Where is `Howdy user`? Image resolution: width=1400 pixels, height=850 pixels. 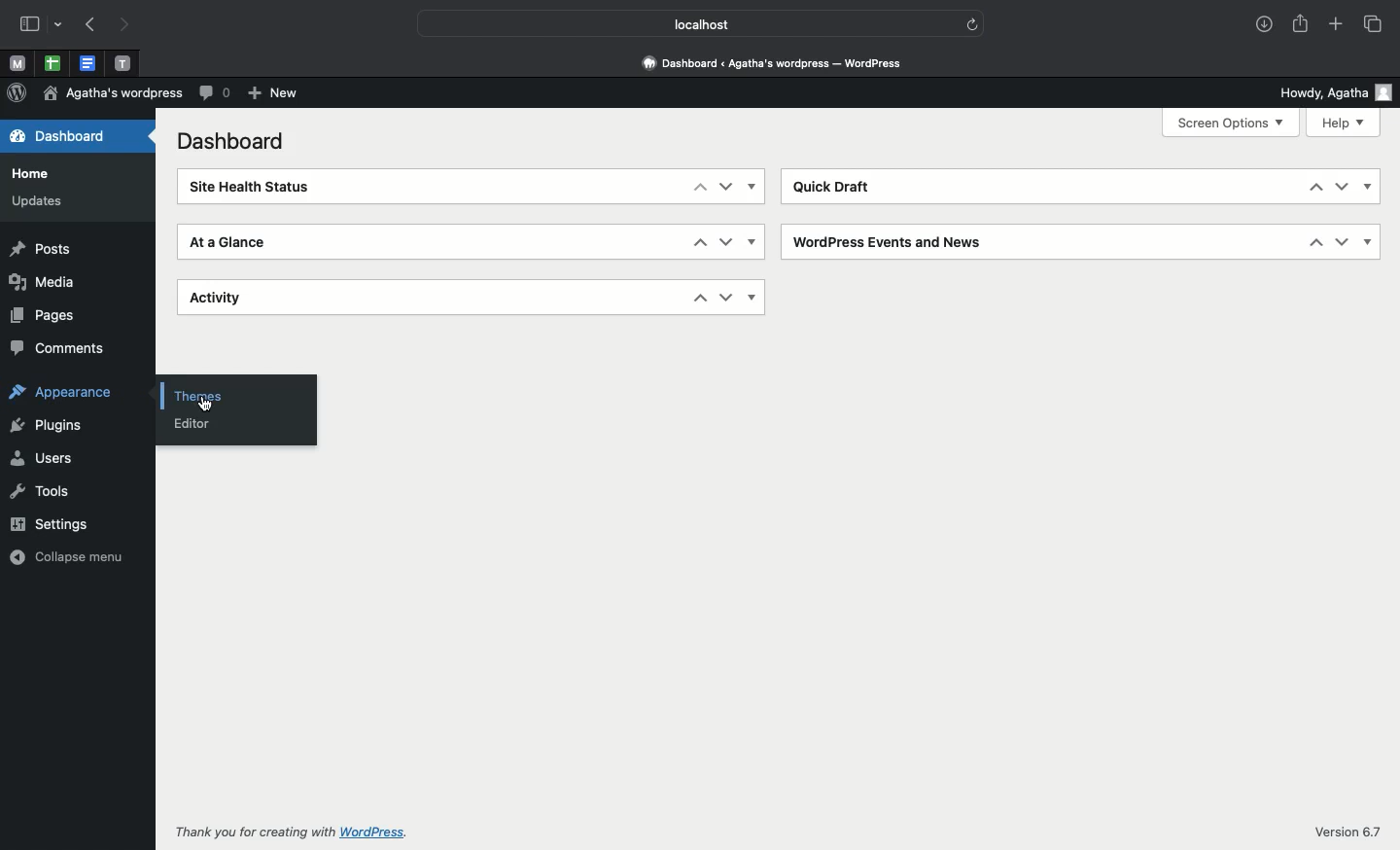 Howdy user is located at coordinates (1333, 90).